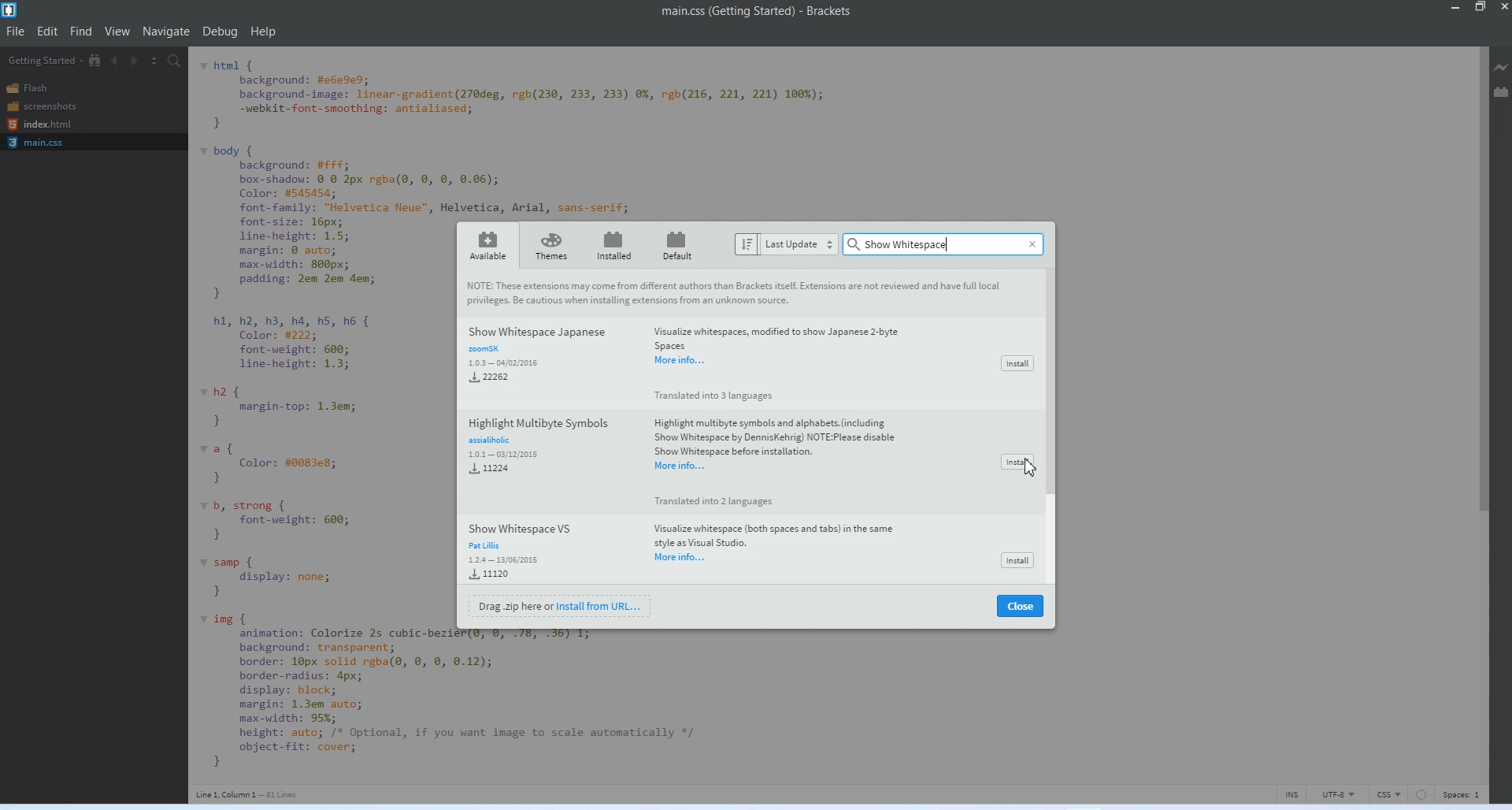 This screenshot has width=1512, height=810. Describe the element at coordinates (692, 361) in the screenshot. I see `Show Whitespace Japanese` at that location.